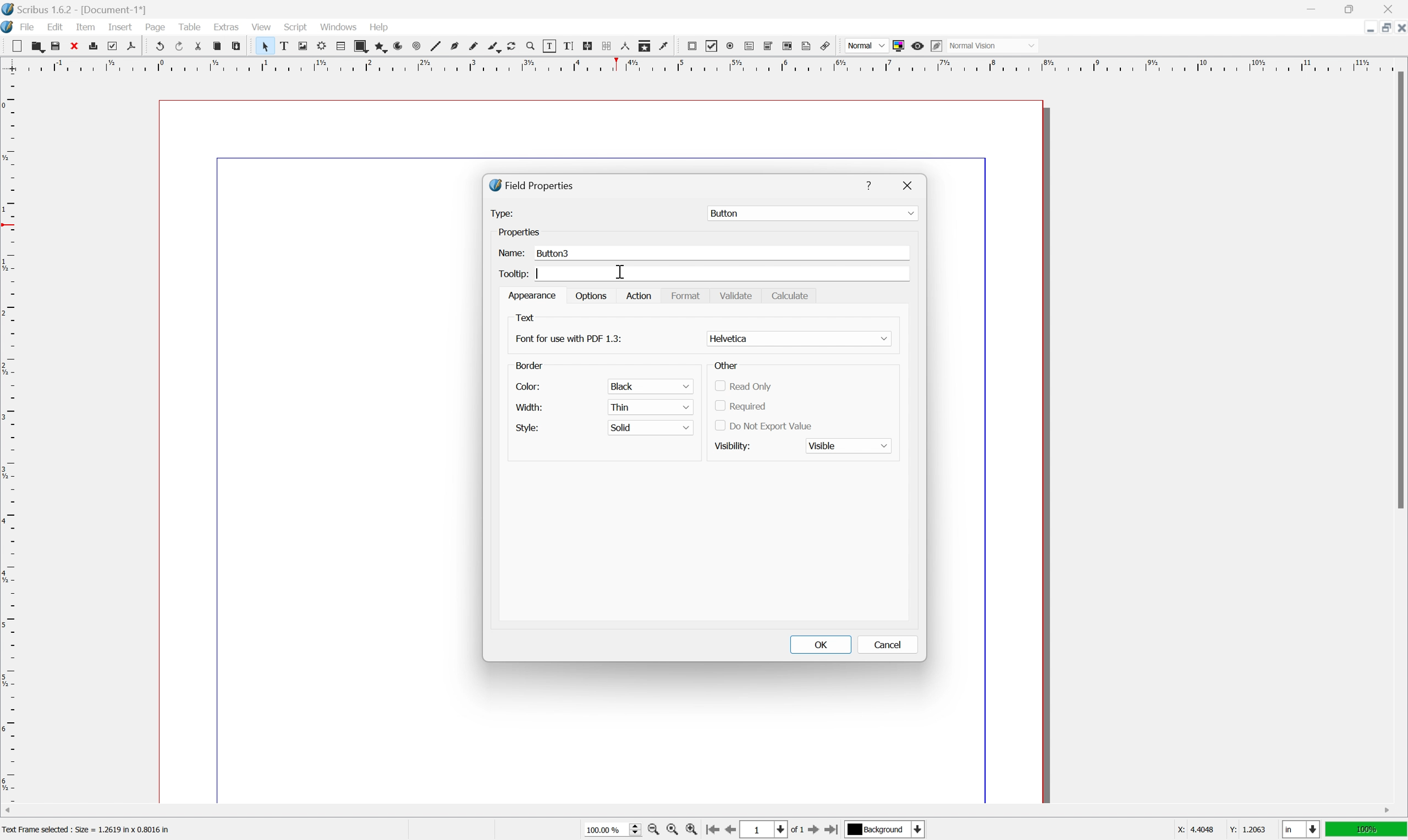 The height and width of the screenshot is (840, 1408). What do you see at coordinates (88, 9) in the screenshot?
I see `Scribus 1.6.2 - [Document 1*]` at bounding box center [88, 9].